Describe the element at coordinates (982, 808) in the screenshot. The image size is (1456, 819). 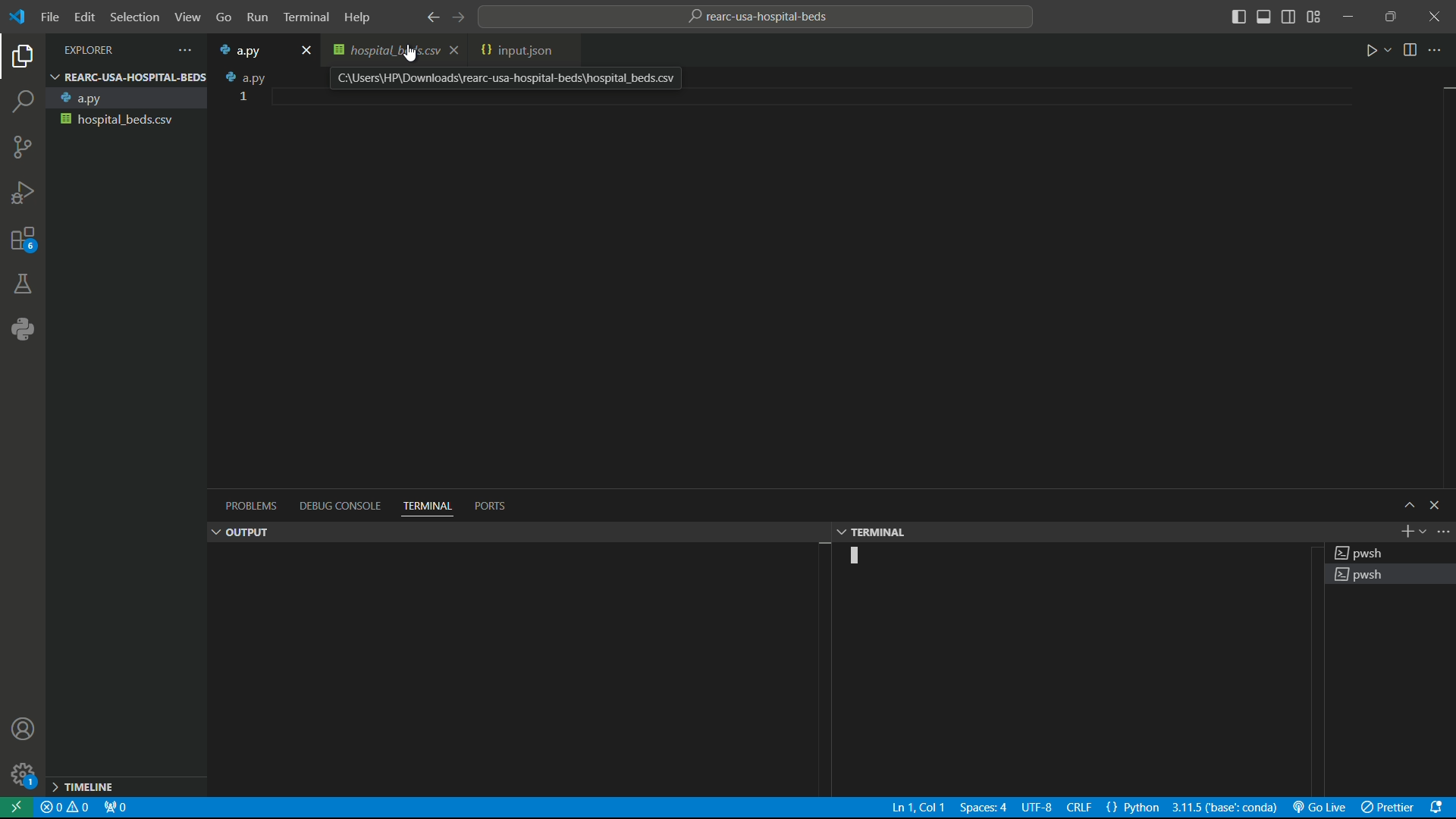
I see `select indentation` at that location.